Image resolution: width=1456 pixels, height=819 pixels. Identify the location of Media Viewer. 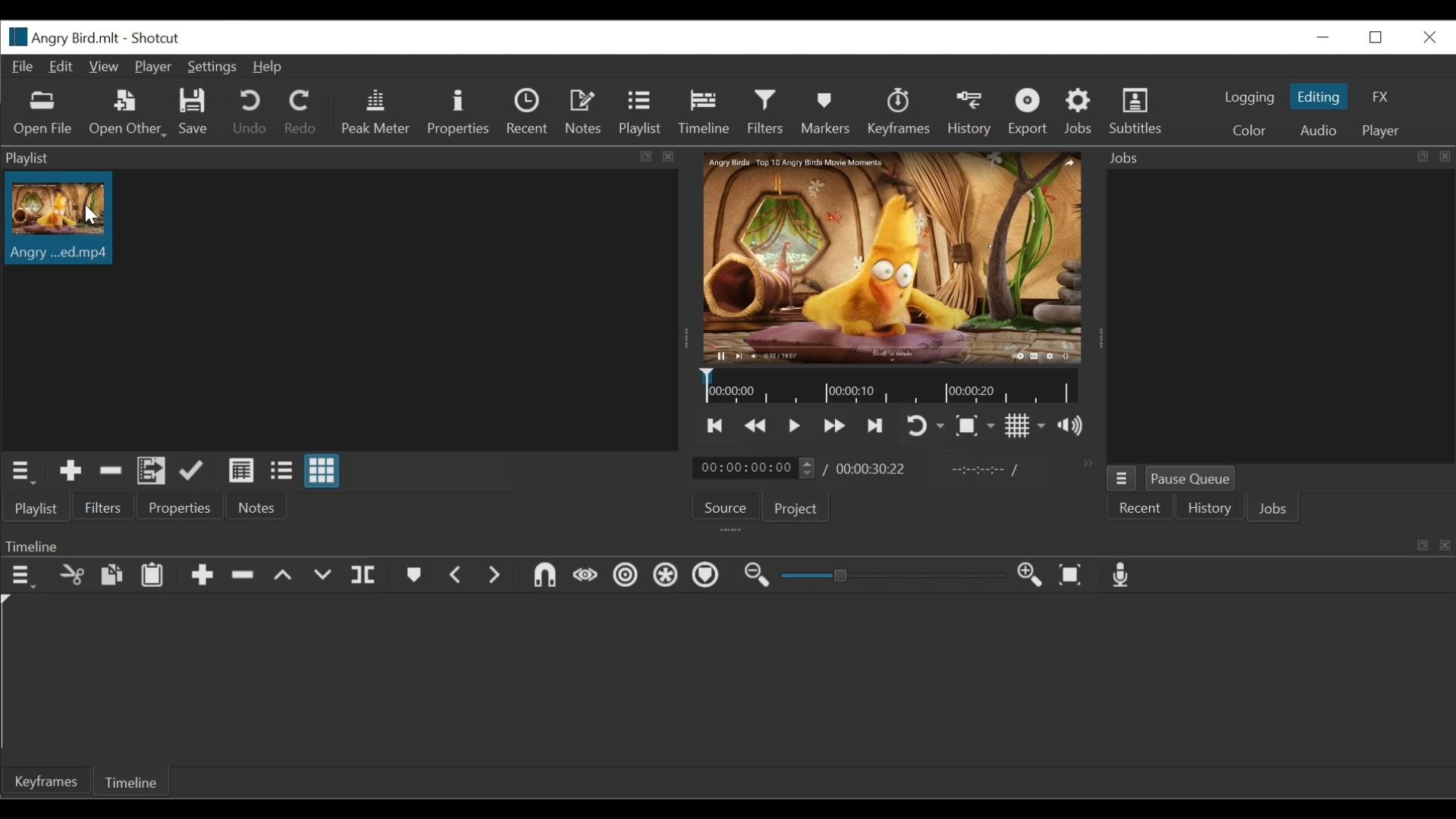
(893, 259).